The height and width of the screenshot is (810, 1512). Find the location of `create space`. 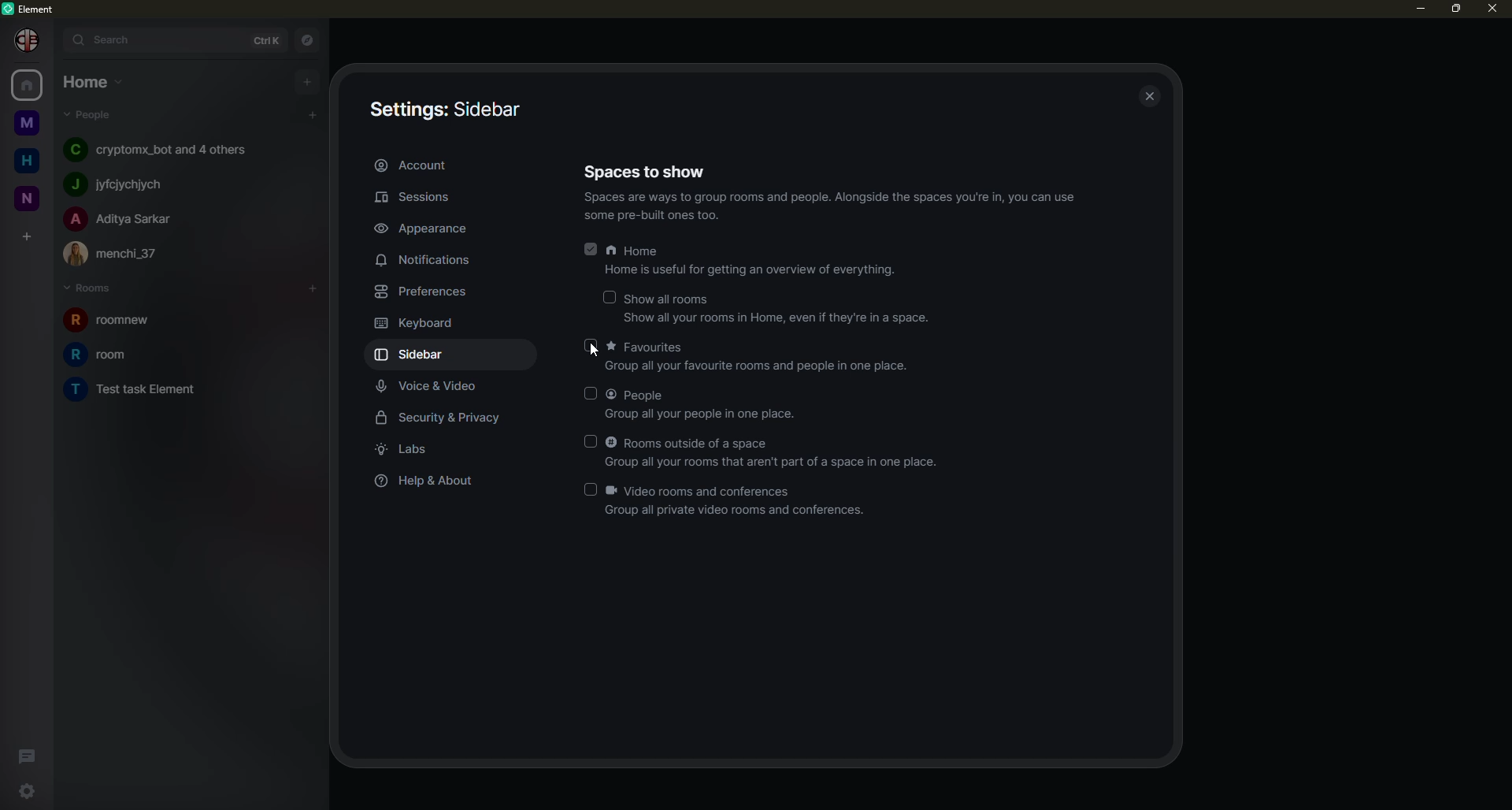

create space is located at coordinates (24, 232).